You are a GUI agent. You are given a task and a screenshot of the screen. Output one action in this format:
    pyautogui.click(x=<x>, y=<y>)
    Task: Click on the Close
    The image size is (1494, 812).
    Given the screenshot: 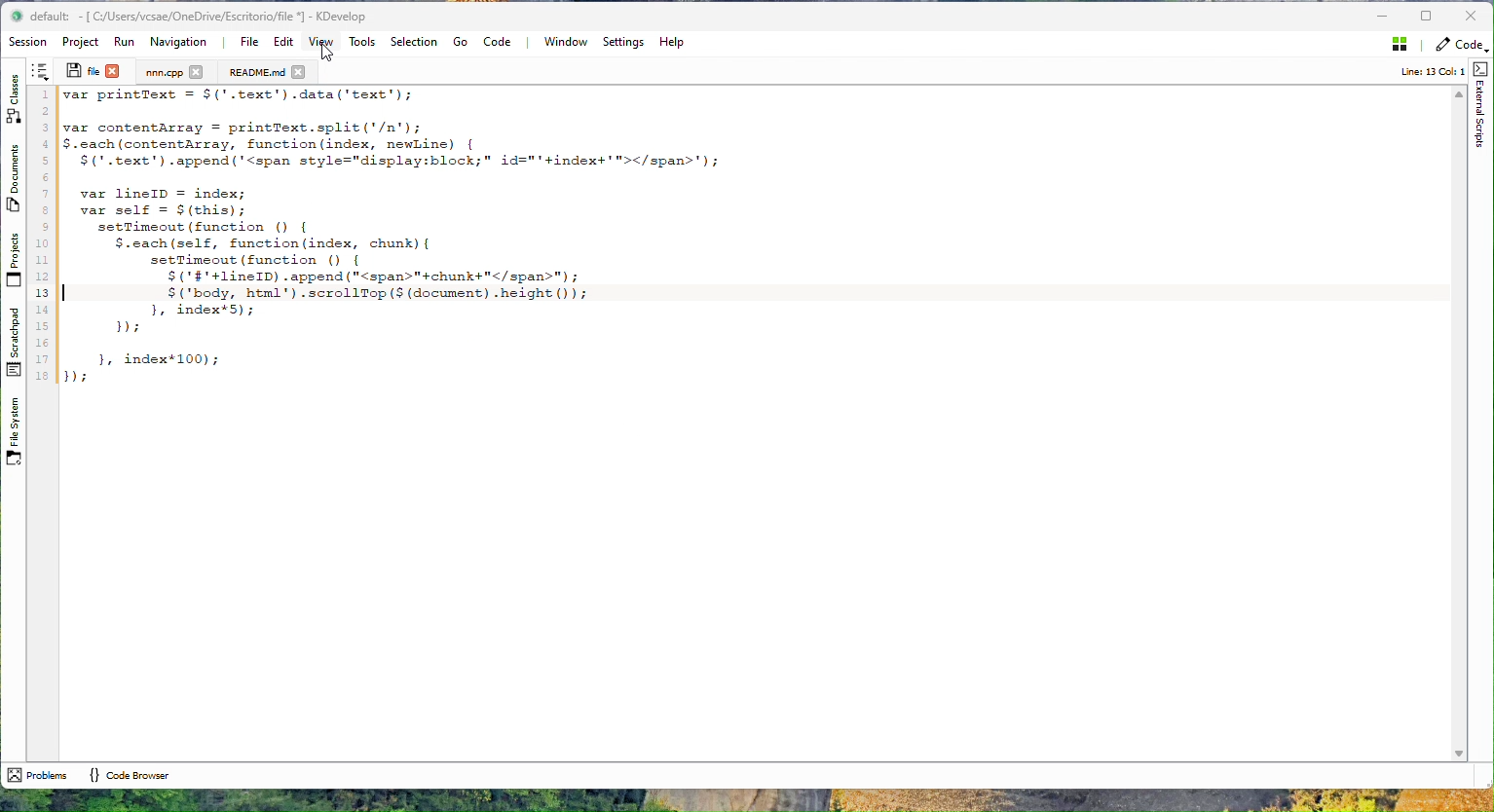 What is the action you would take?
    pyautogui.click(x=1471, y=17)
    